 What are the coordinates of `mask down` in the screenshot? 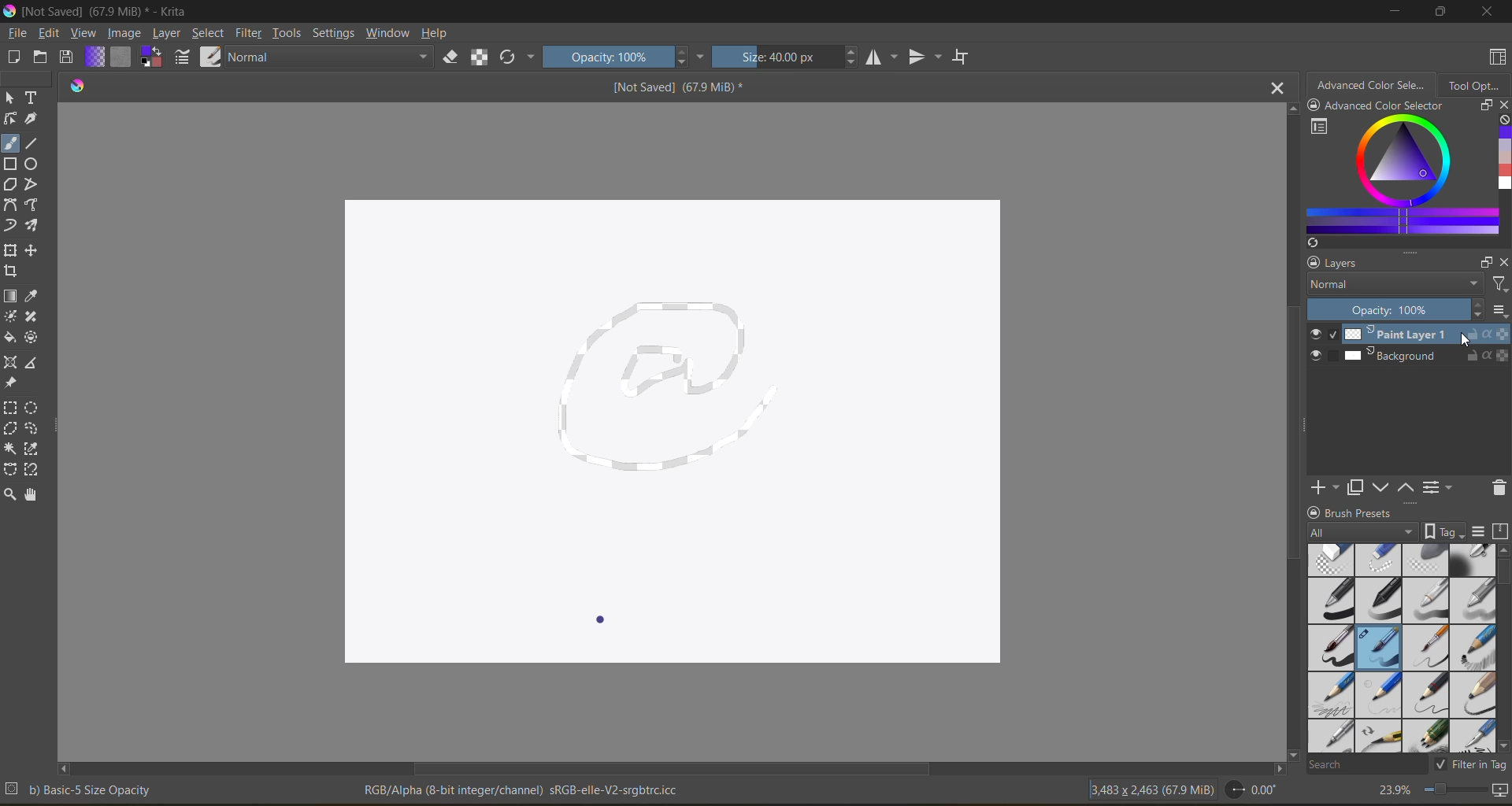 It's located at (1380, 486).